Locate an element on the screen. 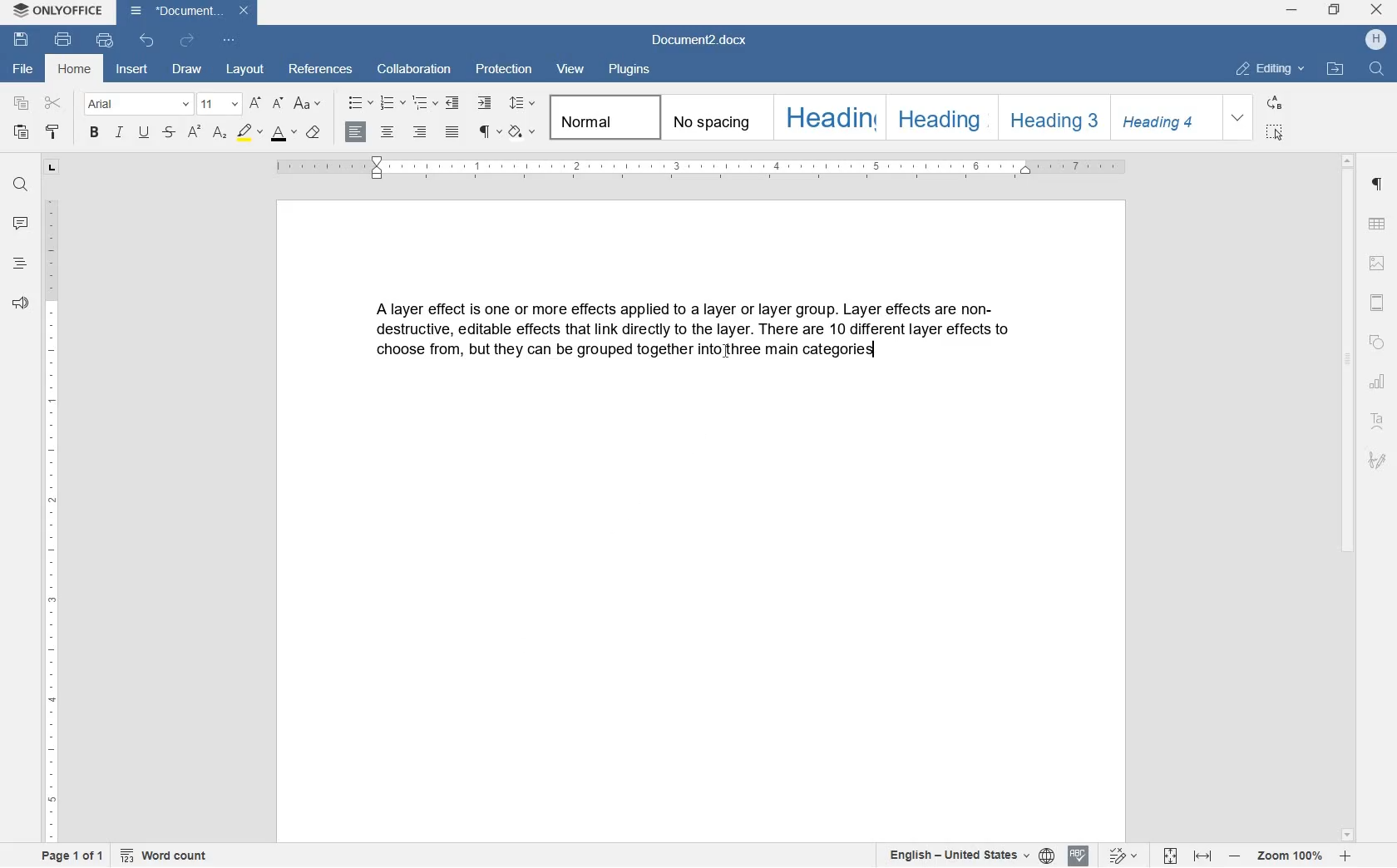 This screenshot has width=1397, height=868. expand formatting style is located at coordinates (1238, 118).